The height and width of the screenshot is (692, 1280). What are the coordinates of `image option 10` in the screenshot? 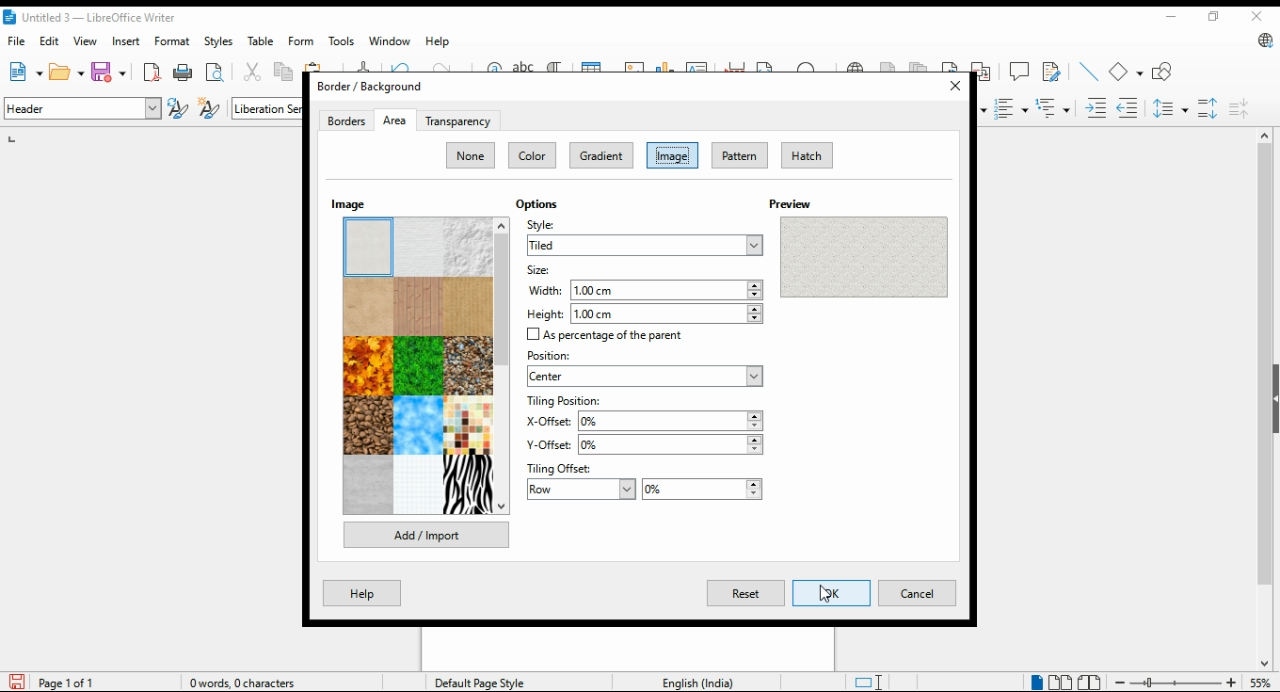 It's located at (368, 426).